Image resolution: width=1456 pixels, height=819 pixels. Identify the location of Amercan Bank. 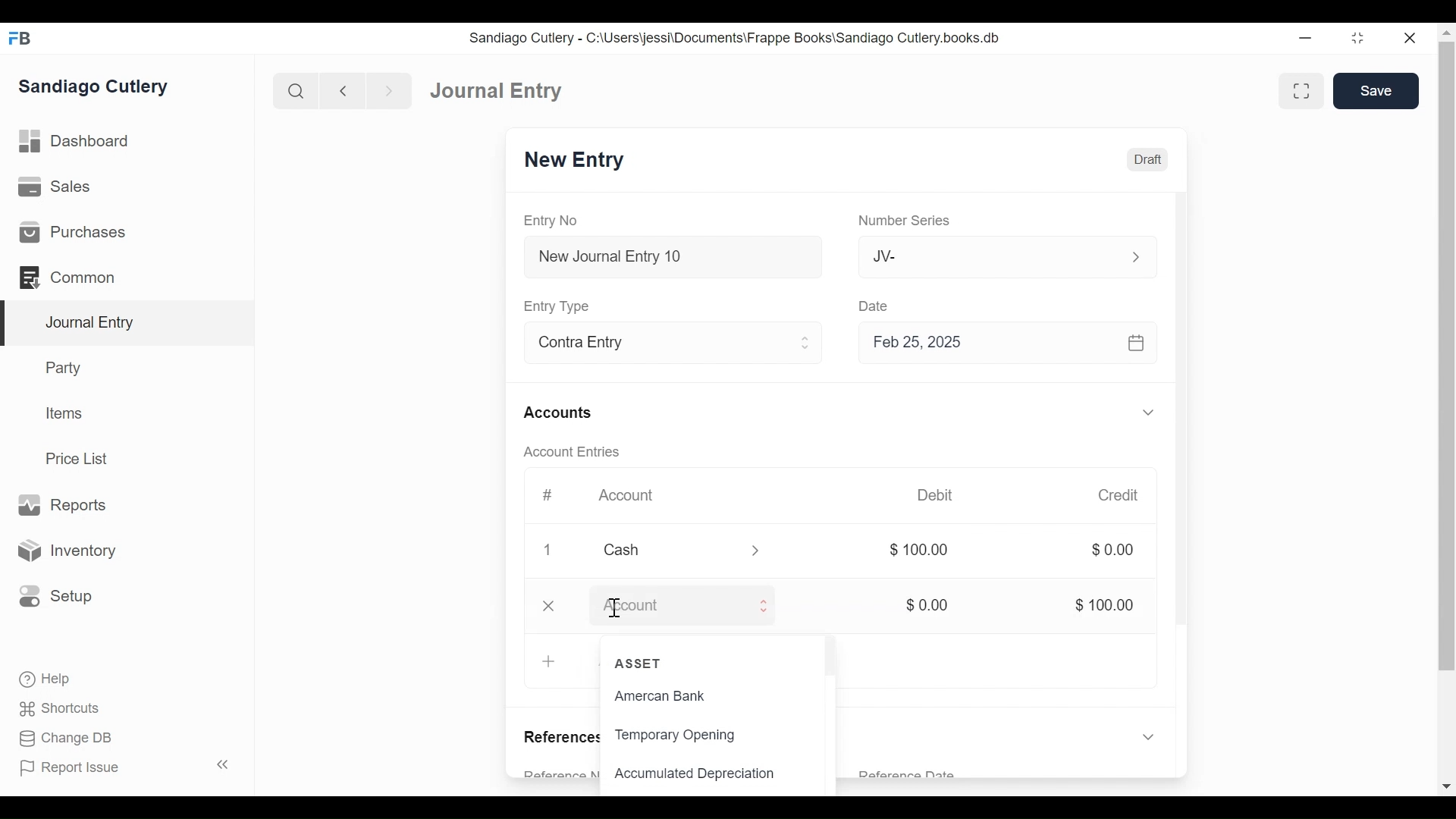
(675, 698).